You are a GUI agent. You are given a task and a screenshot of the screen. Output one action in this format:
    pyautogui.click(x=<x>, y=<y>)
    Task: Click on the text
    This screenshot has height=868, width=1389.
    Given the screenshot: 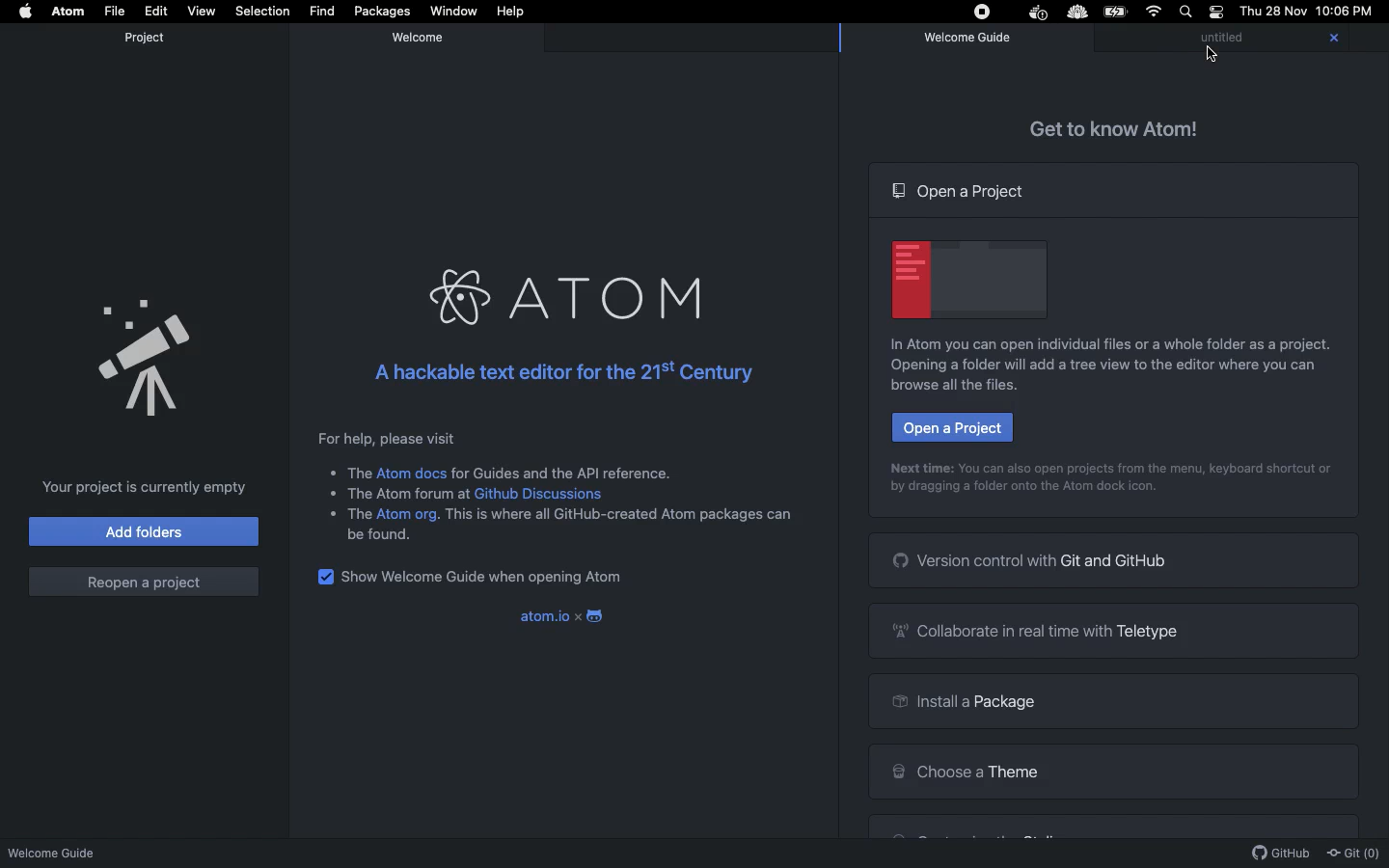 What is the action you would take?
    pyautogui.click(x=350, y=474)
    